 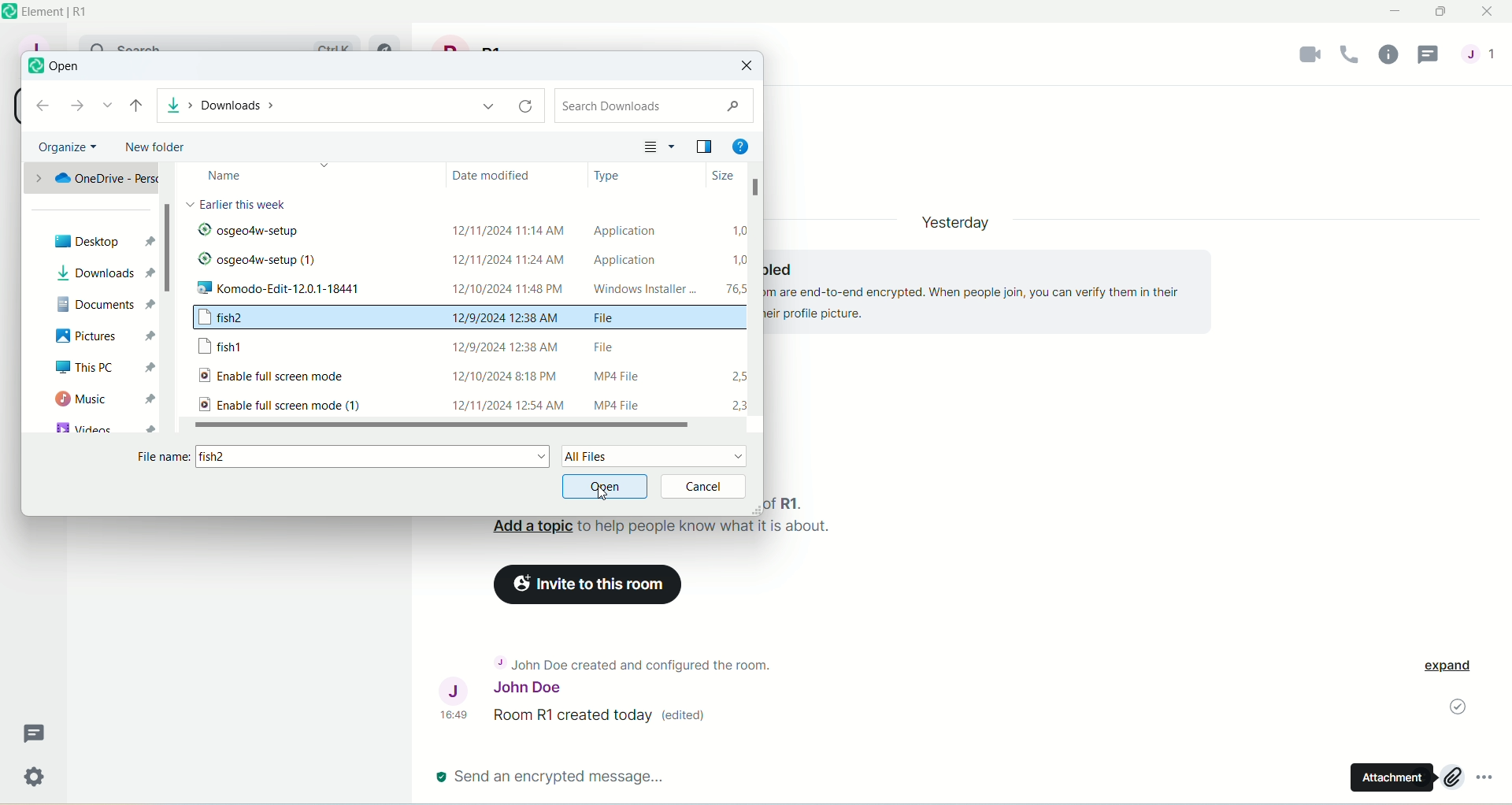 What do you see at coordinates (9, 12) in the screenshot?
I see `logo` at bounding box center [9, 12].